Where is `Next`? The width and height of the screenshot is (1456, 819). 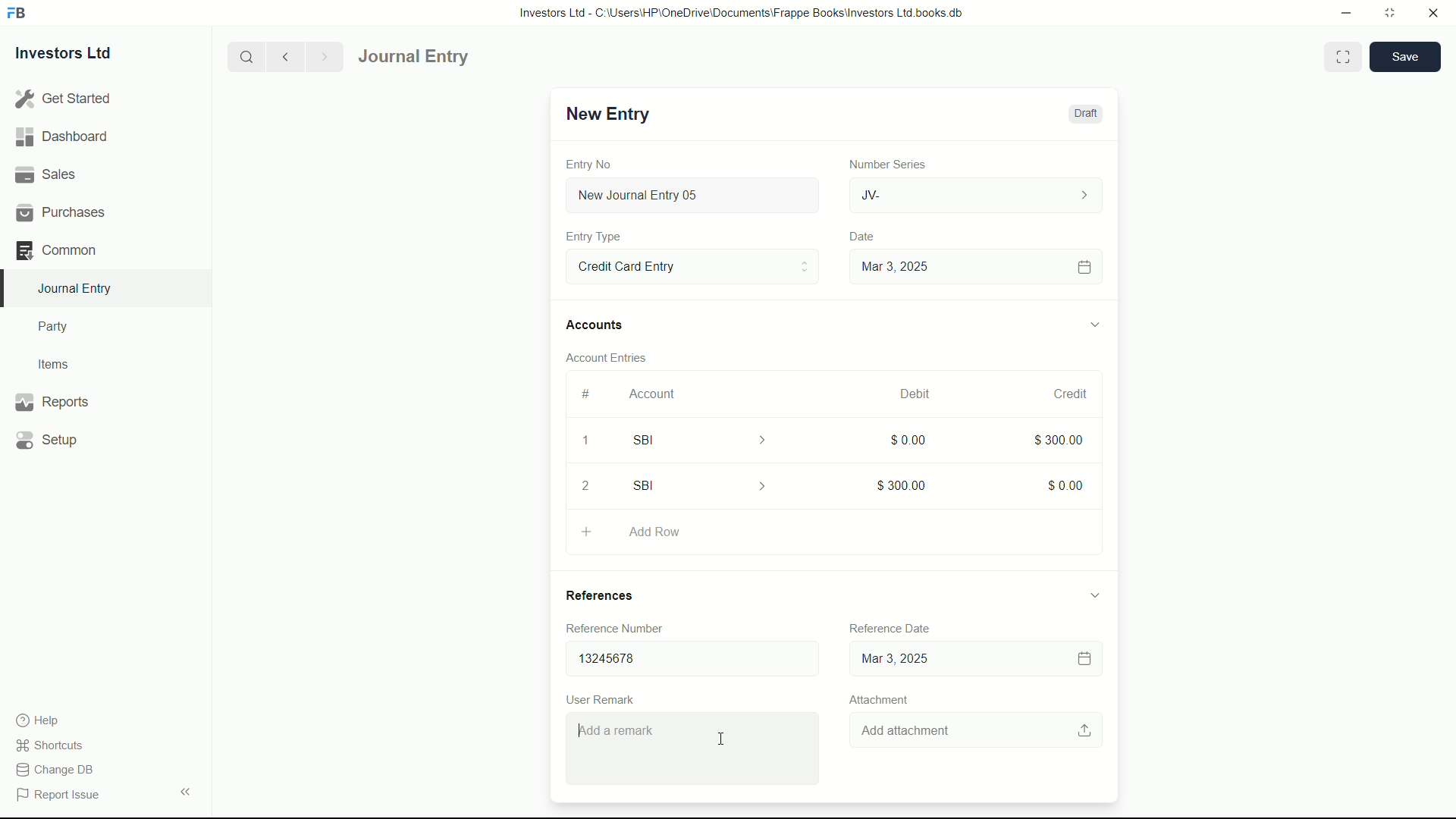
Next is located at coordinates (322, 56).